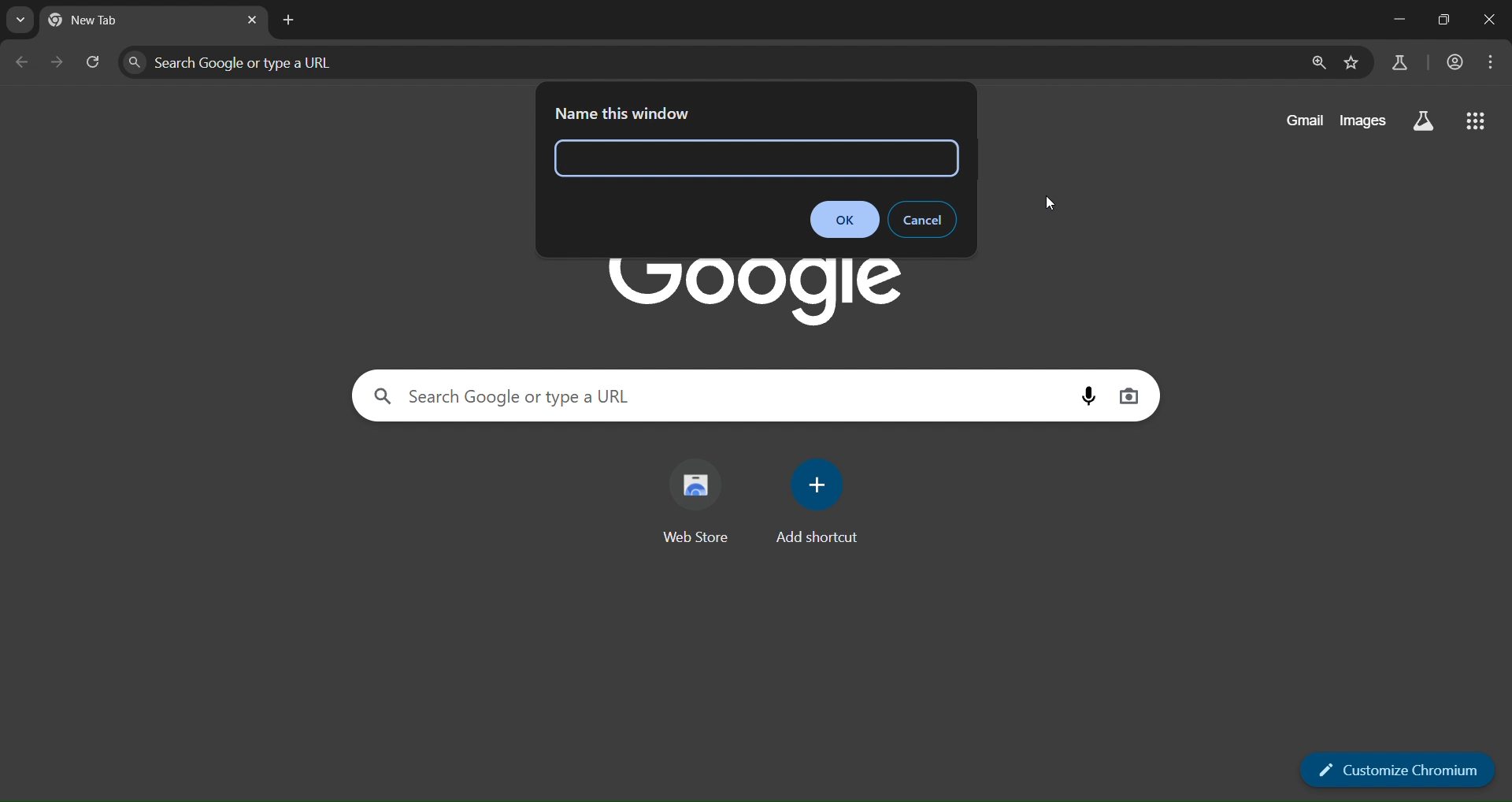 The height and width of the screenshot is (802, 1512). What do you see at coordinates (290, 20) in the screenshot?
I see `new tab` at bounding box center [290, 20].